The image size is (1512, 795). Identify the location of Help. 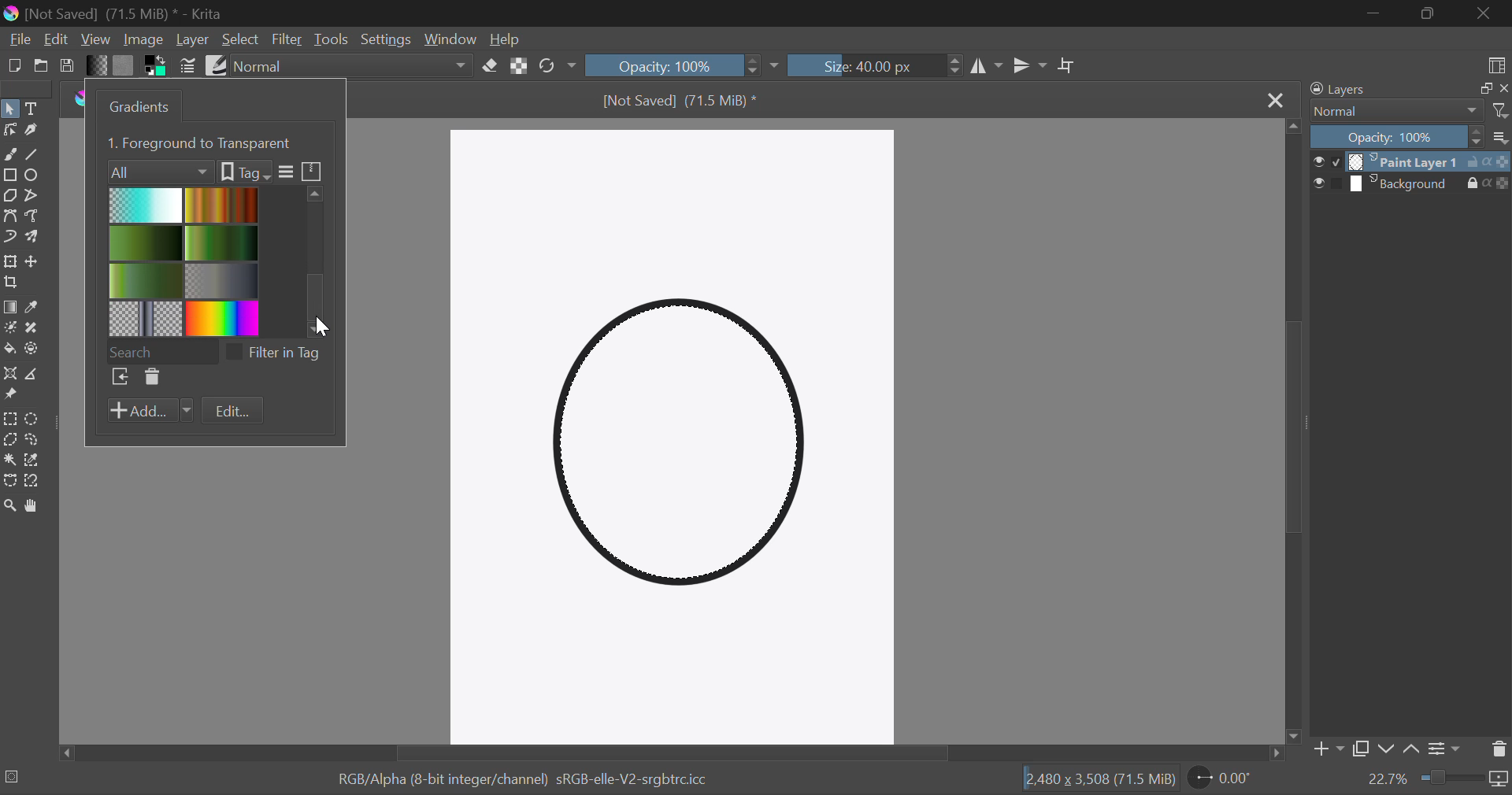
(509, 39).